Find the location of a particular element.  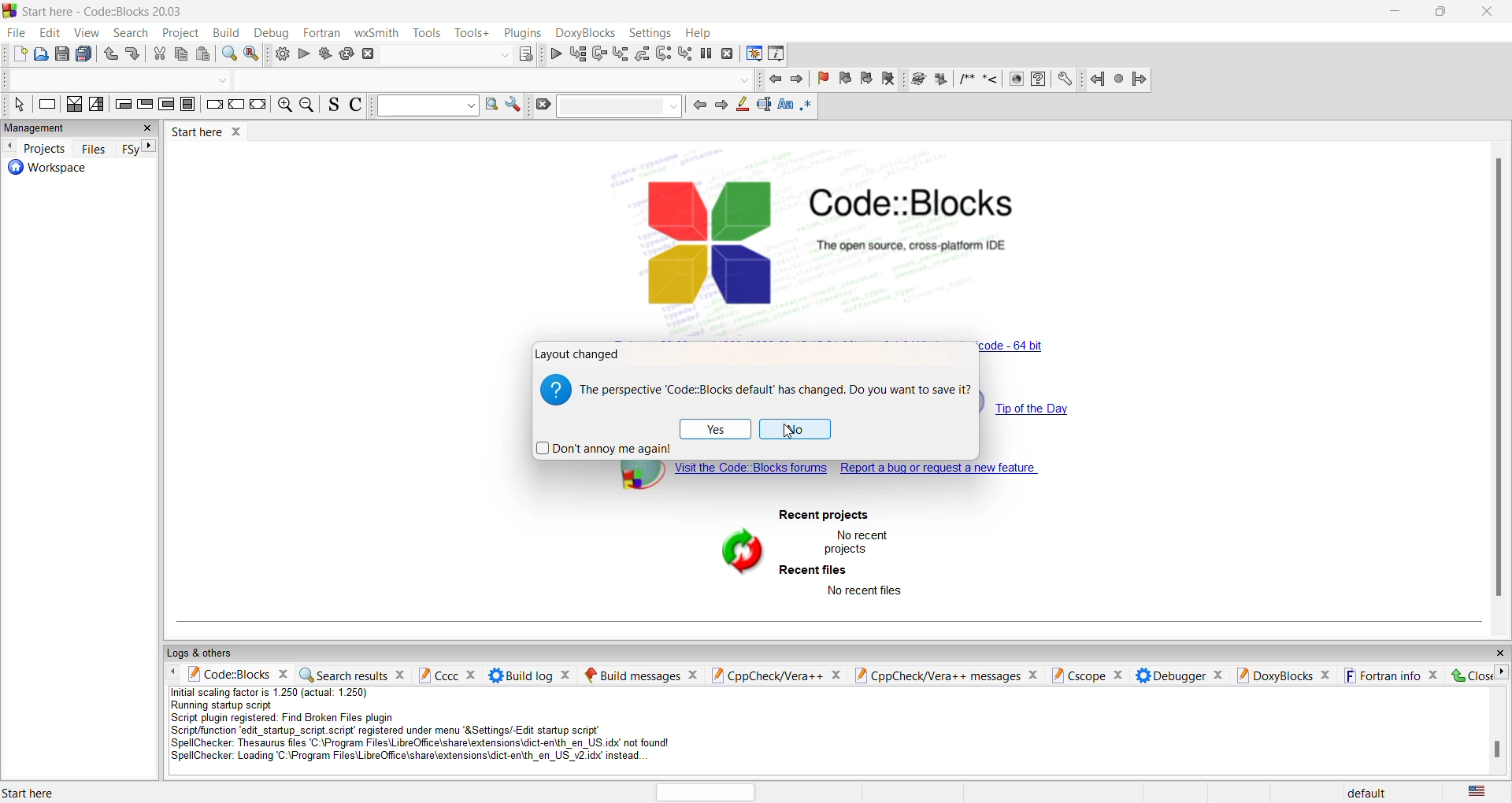

find is located at coordinates (229, 54).